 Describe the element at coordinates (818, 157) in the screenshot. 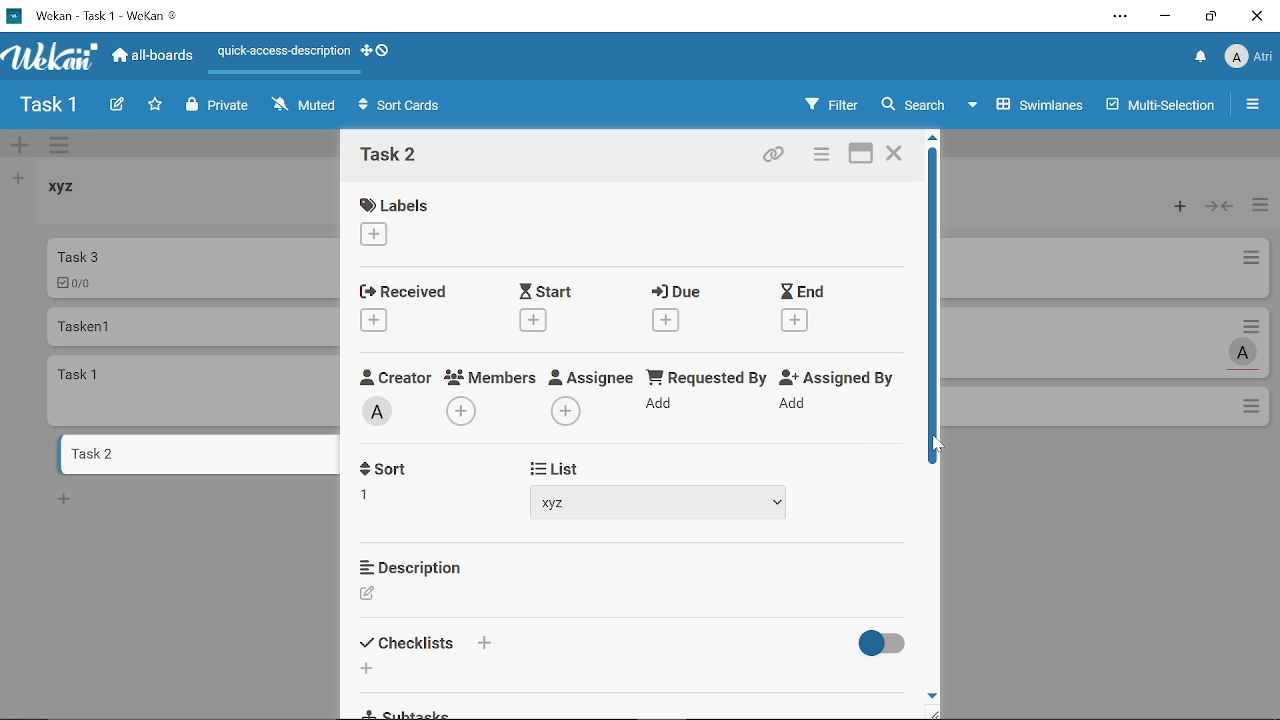

I see `Card actions` at that location.